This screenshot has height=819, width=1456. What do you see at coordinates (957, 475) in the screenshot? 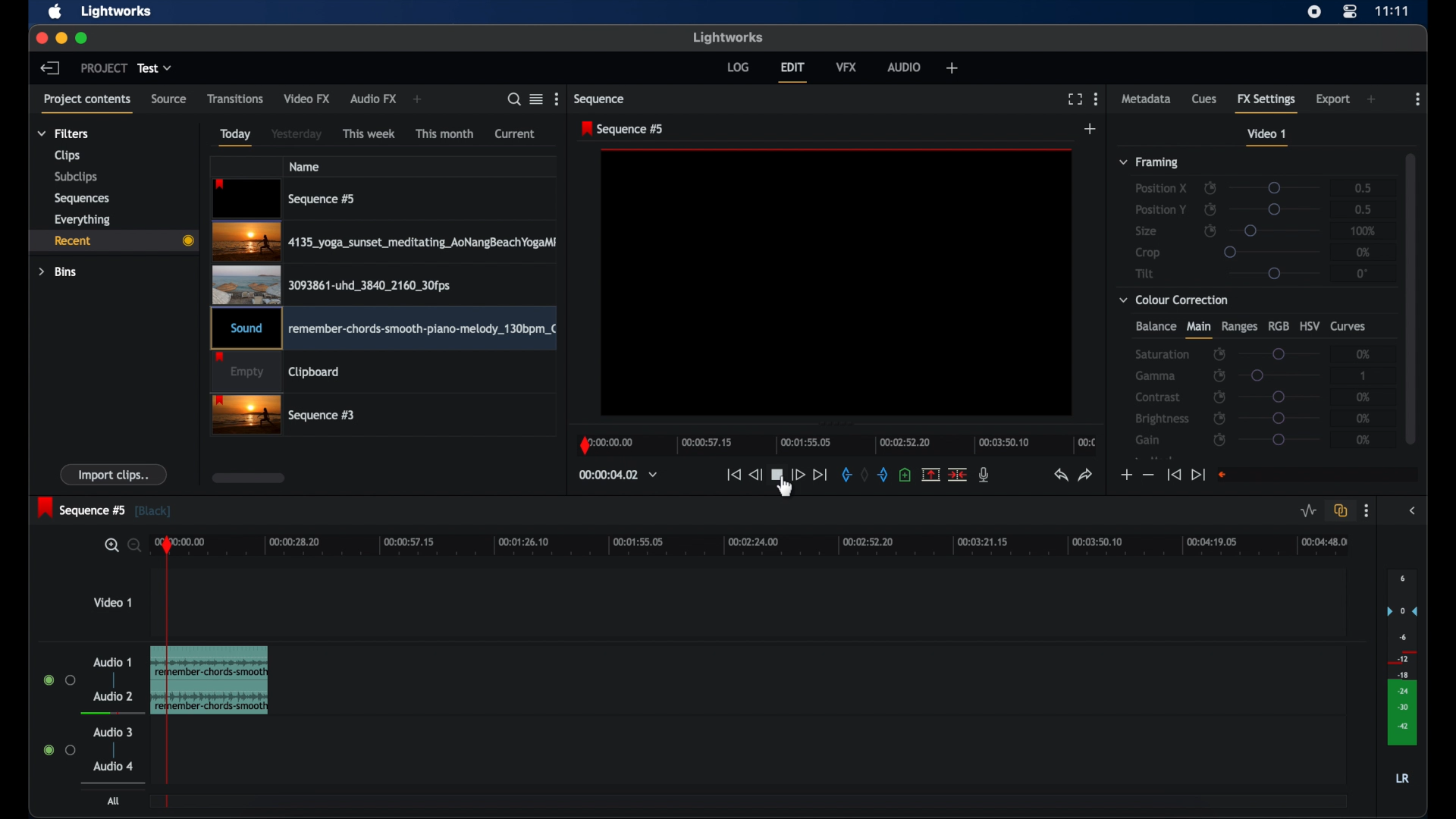
I see `split` at bounding box center [957, 475].